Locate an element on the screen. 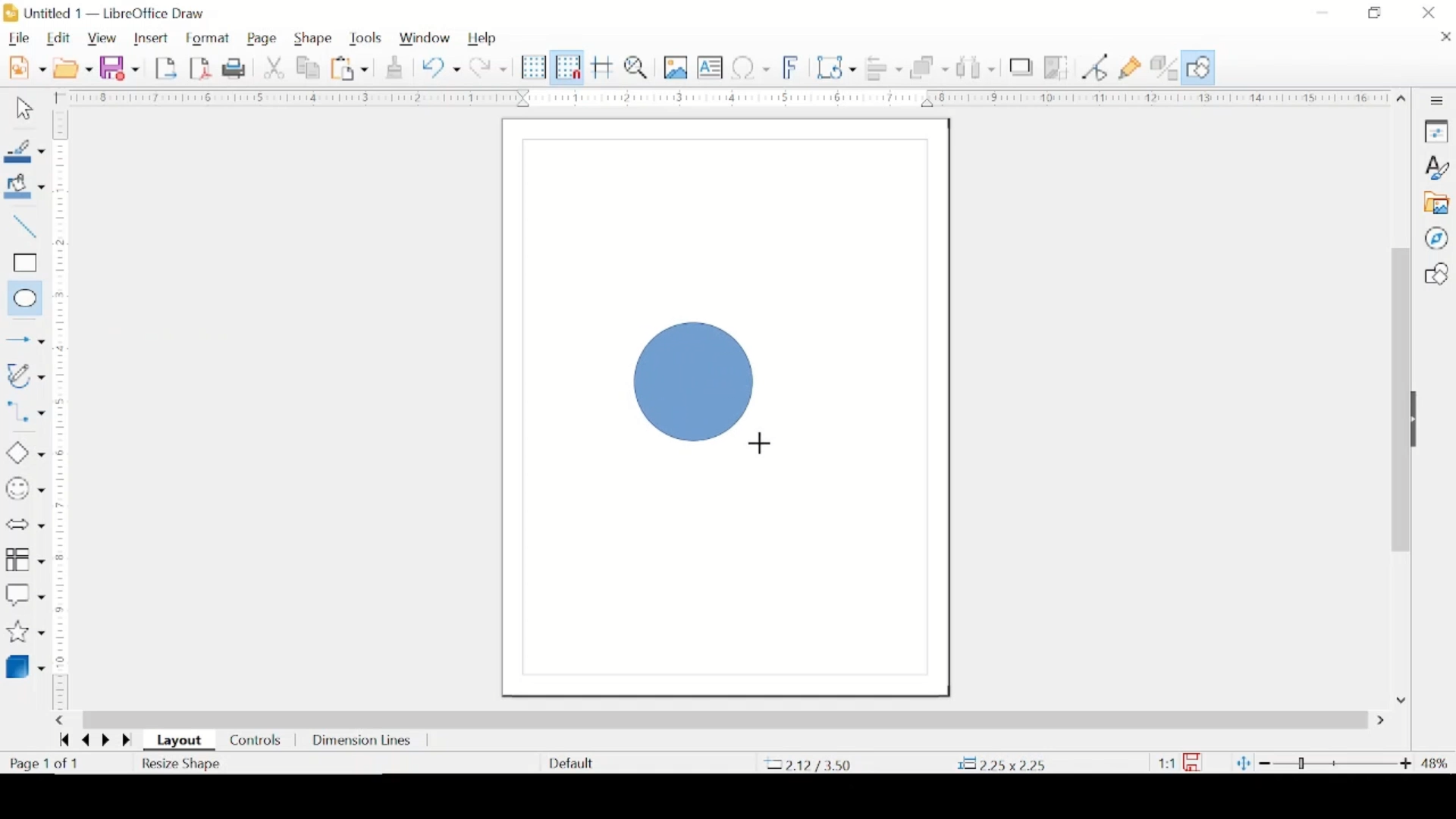  display grid is located at coordinates (533, 67).